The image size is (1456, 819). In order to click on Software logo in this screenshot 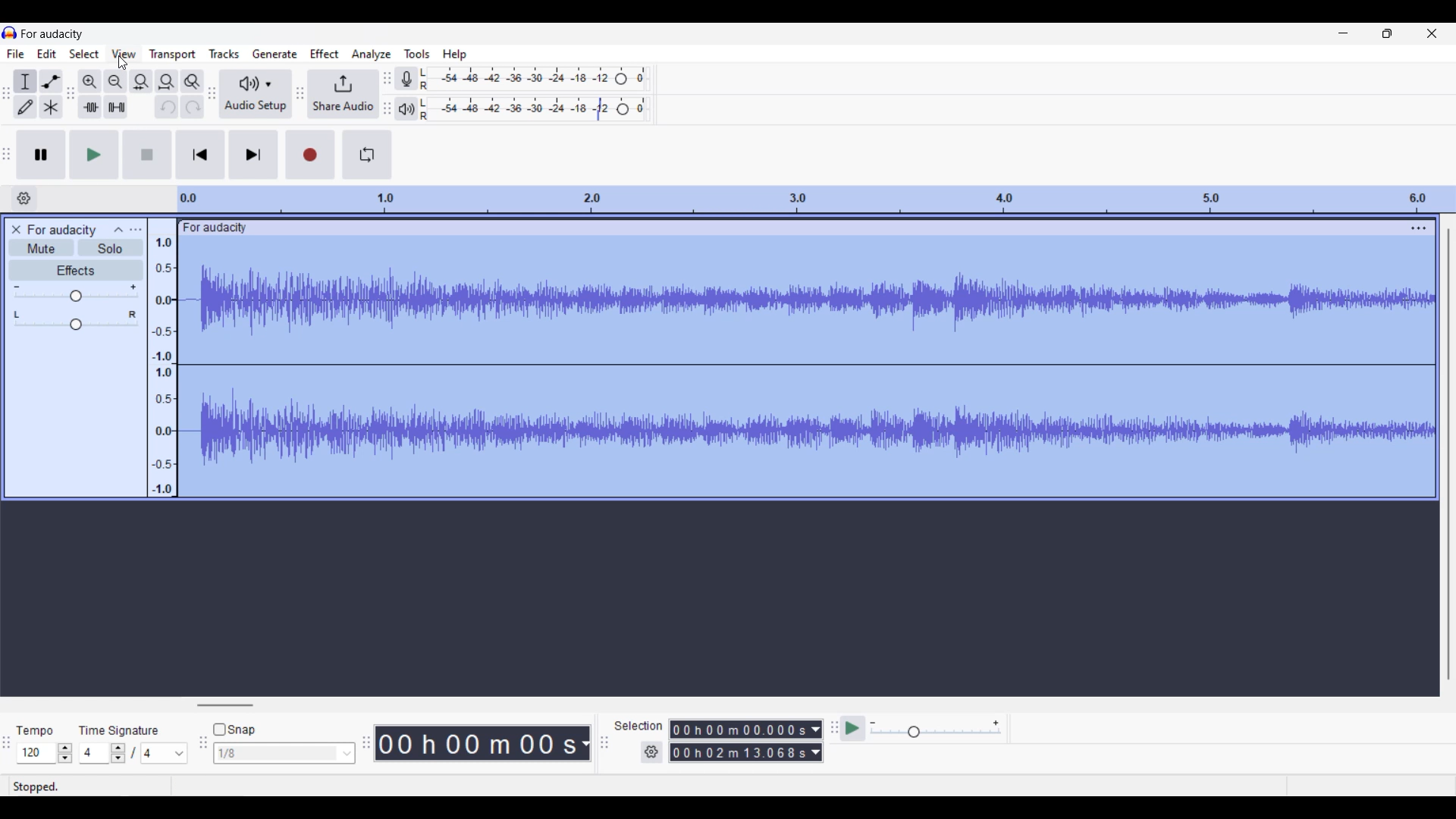, I will do `click(10, 33)`.